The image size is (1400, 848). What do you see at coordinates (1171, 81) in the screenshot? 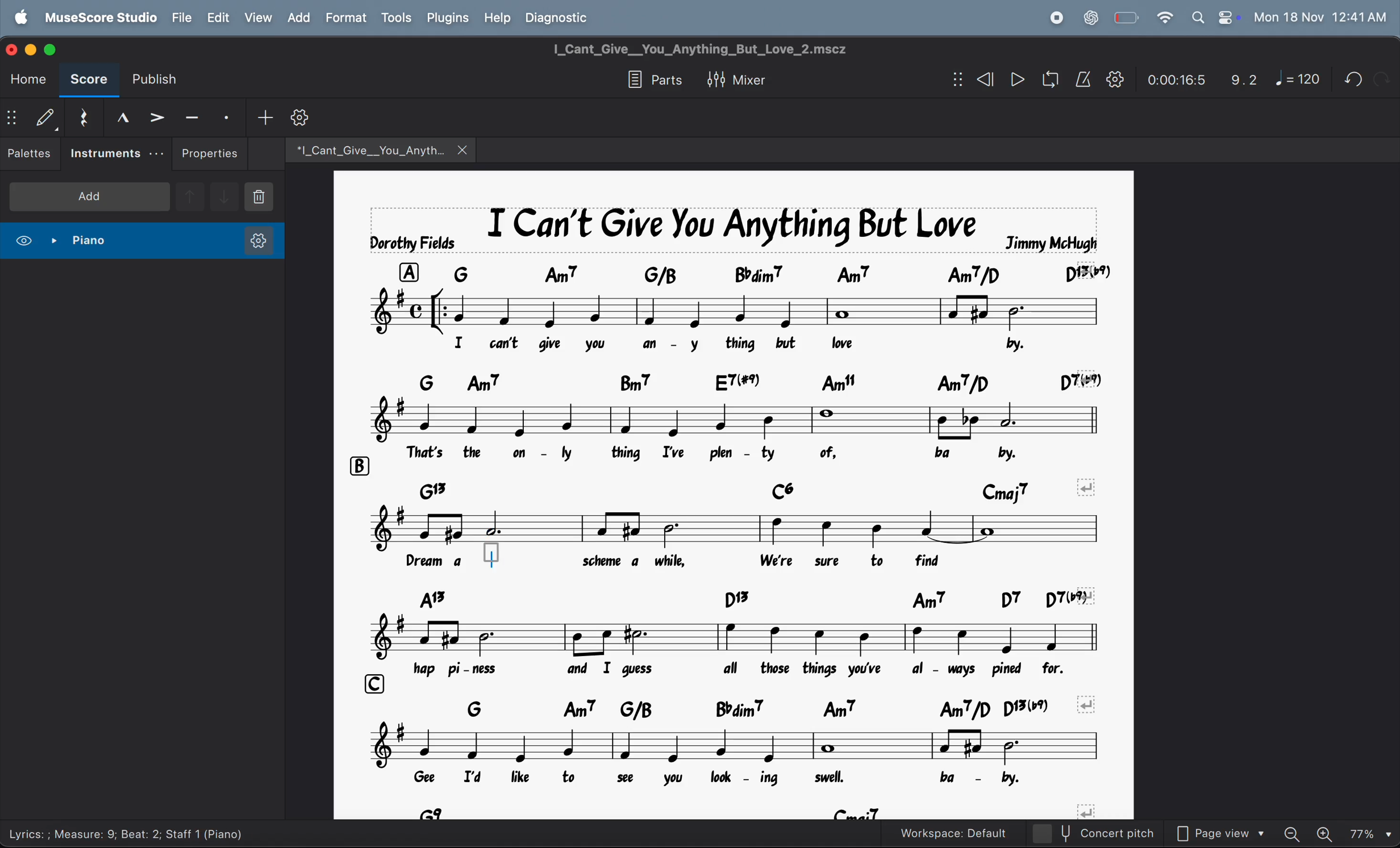
I see `time frame` at bounding box center [1171, 81].